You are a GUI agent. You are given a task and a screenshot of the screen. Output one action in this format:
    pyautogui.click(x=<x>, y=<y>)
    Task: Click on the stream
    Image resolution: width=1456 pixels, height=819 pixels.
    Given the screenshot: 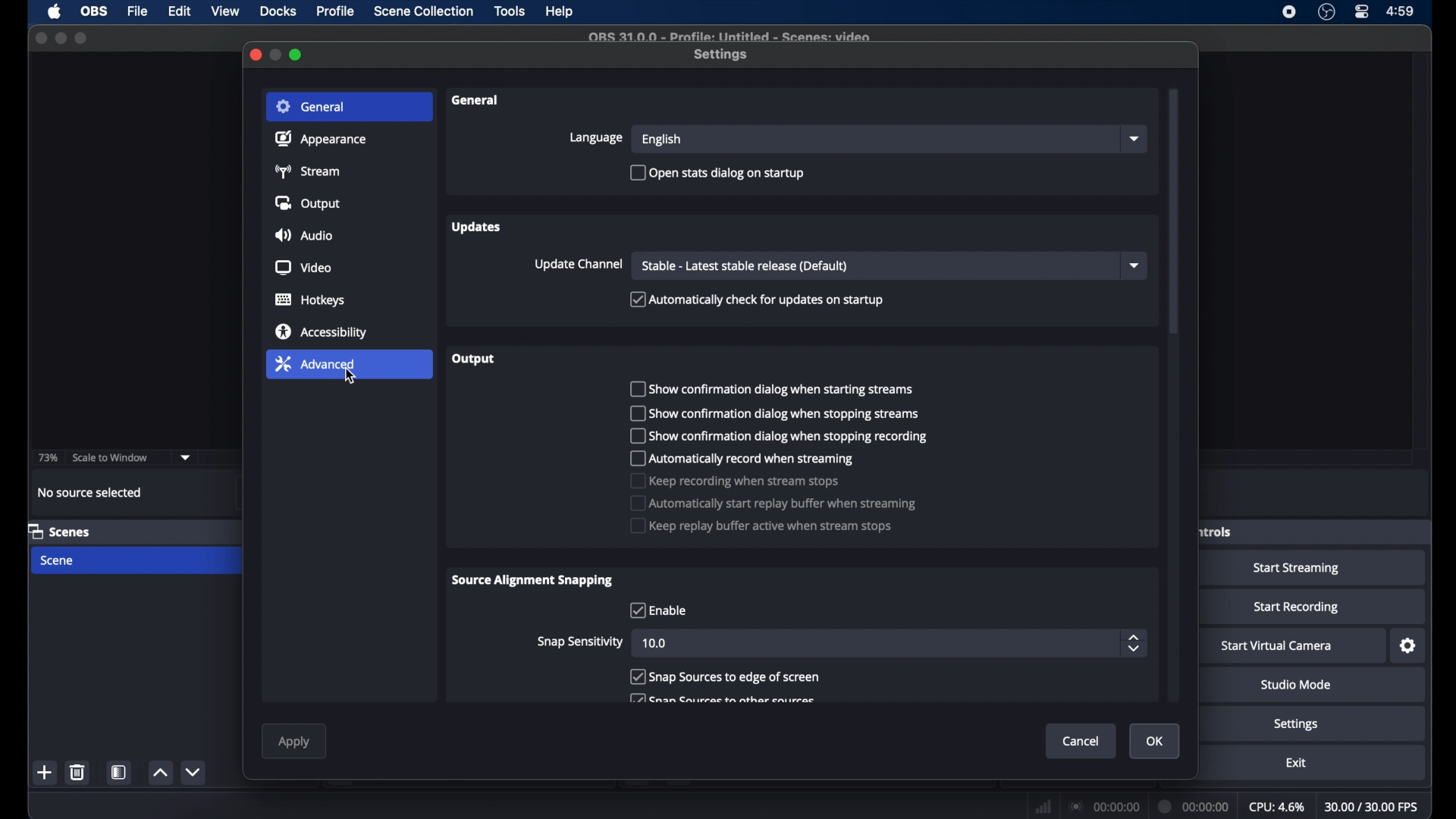 What is the action you would take?
    pyautogui.click(x=310, y=171)
    